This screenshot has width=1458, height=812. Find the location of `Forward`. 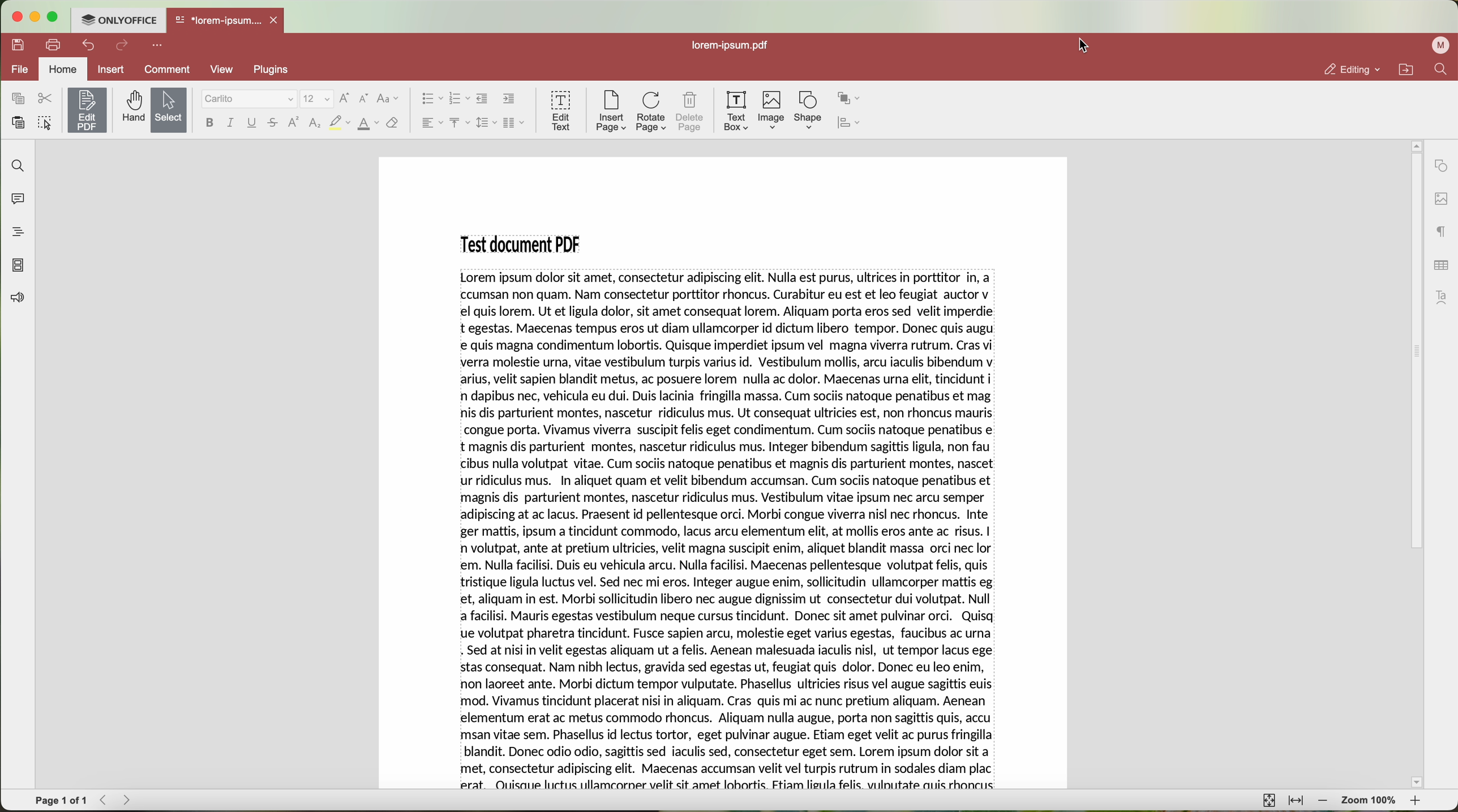

Forward is located at coordinates (130, 800).